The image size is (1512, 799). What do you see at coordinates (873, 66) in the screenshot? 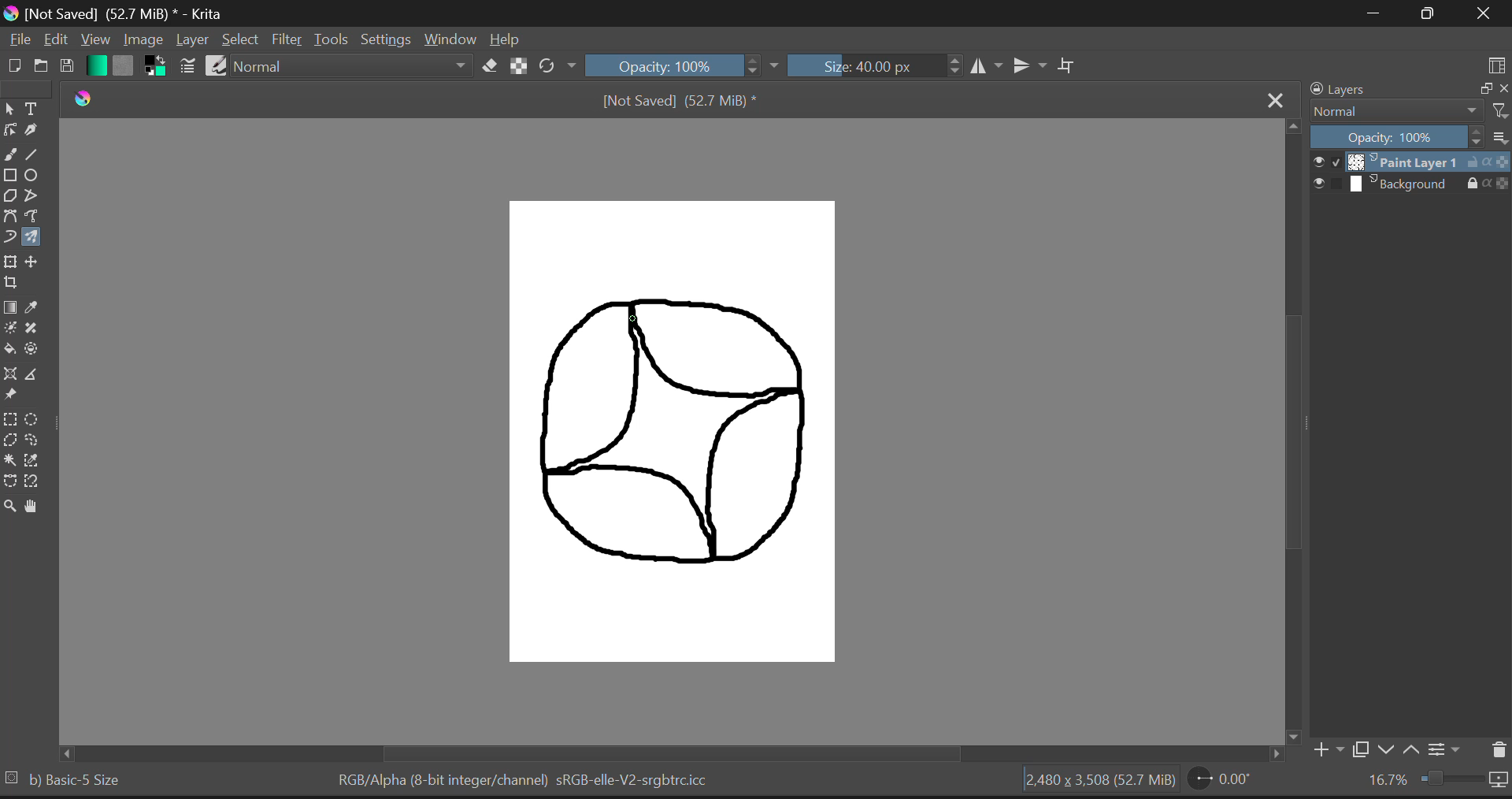
I see `Size: 40.00 px` at bounding box center [873, 66].